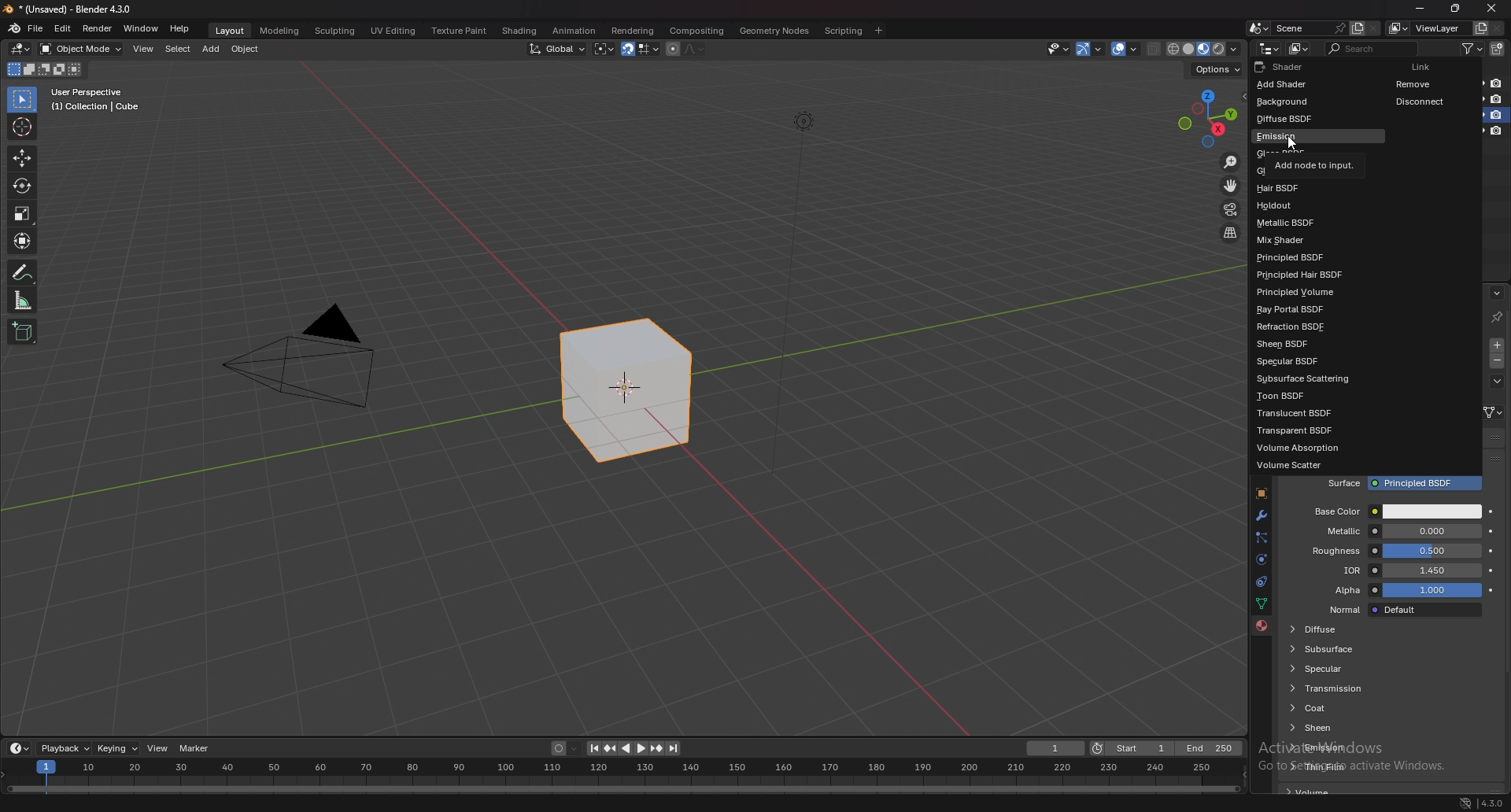 This screenshot has height=812, width=1511. Describe the element at coordinates (1307, 328) in the screenshot. I see `refraction bsdf` at that location.